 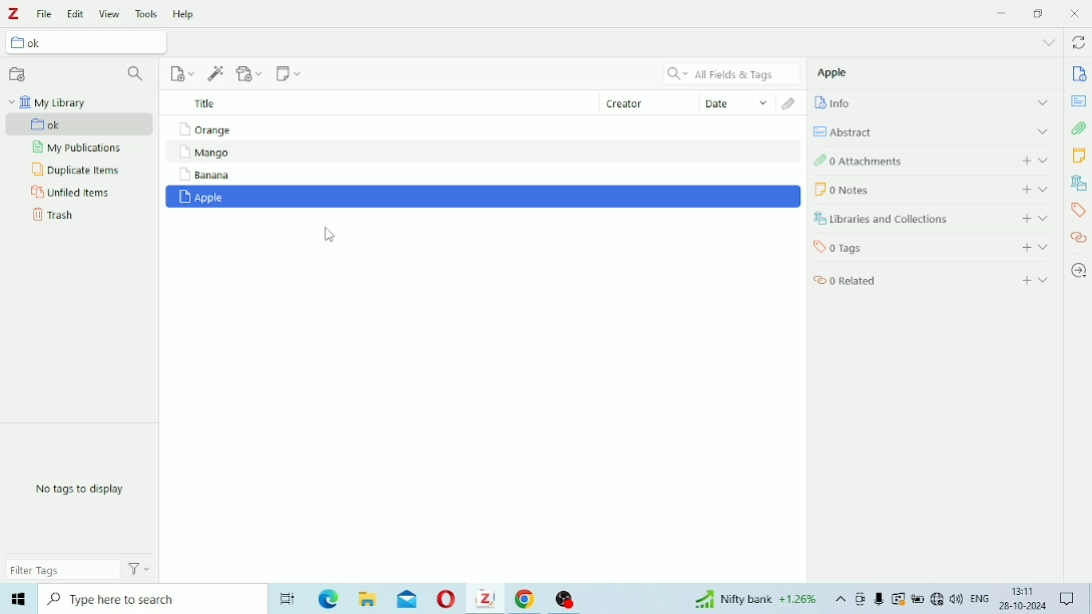 What do you see at coordinates (1045, 132) in the screenshot?
I see `expand` at bounding box center [1045, 132].